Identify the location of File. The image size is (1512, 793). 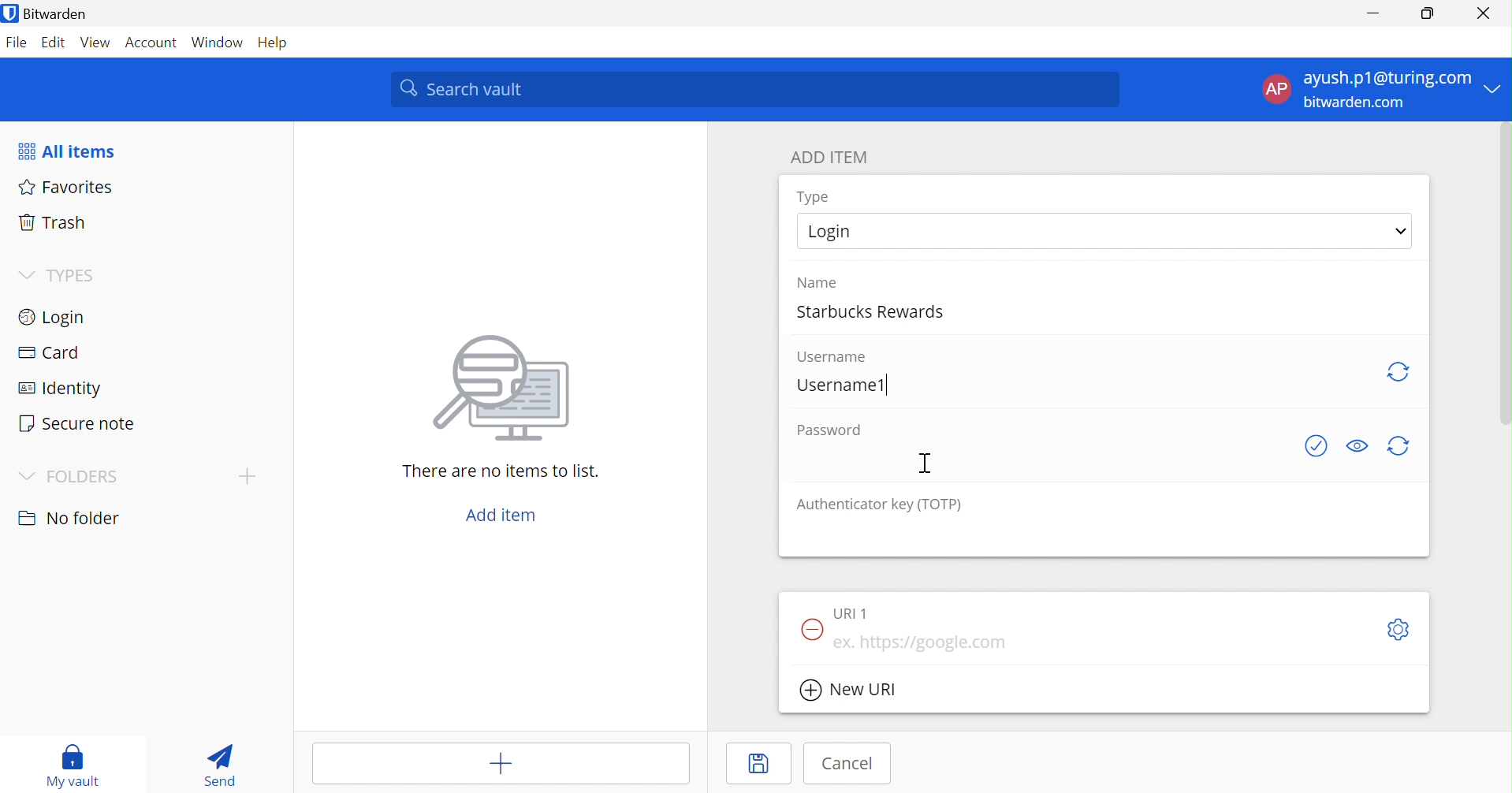
(17, 45).